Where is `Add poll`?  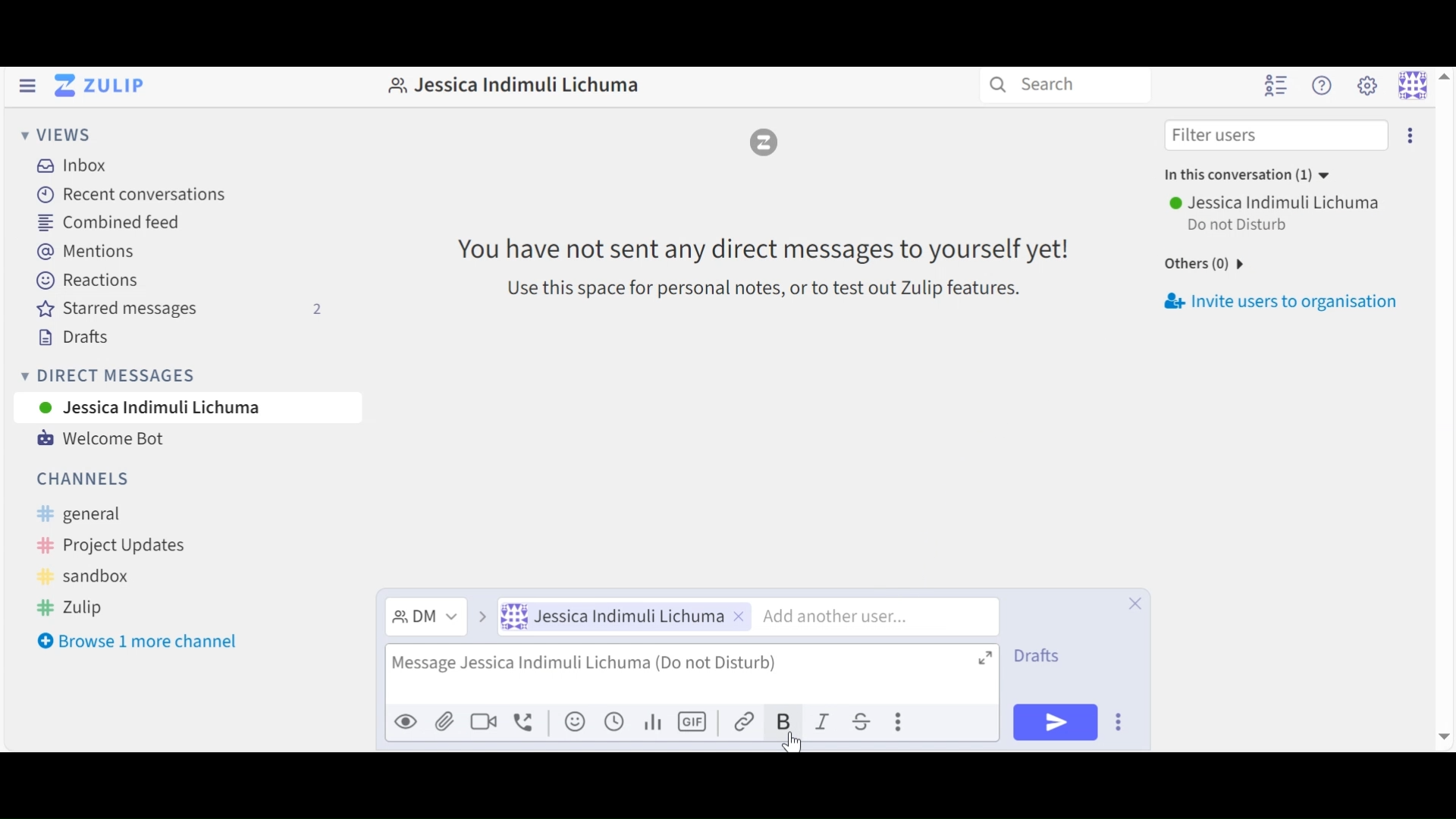
Add poll is located at coordinates (654, 720).